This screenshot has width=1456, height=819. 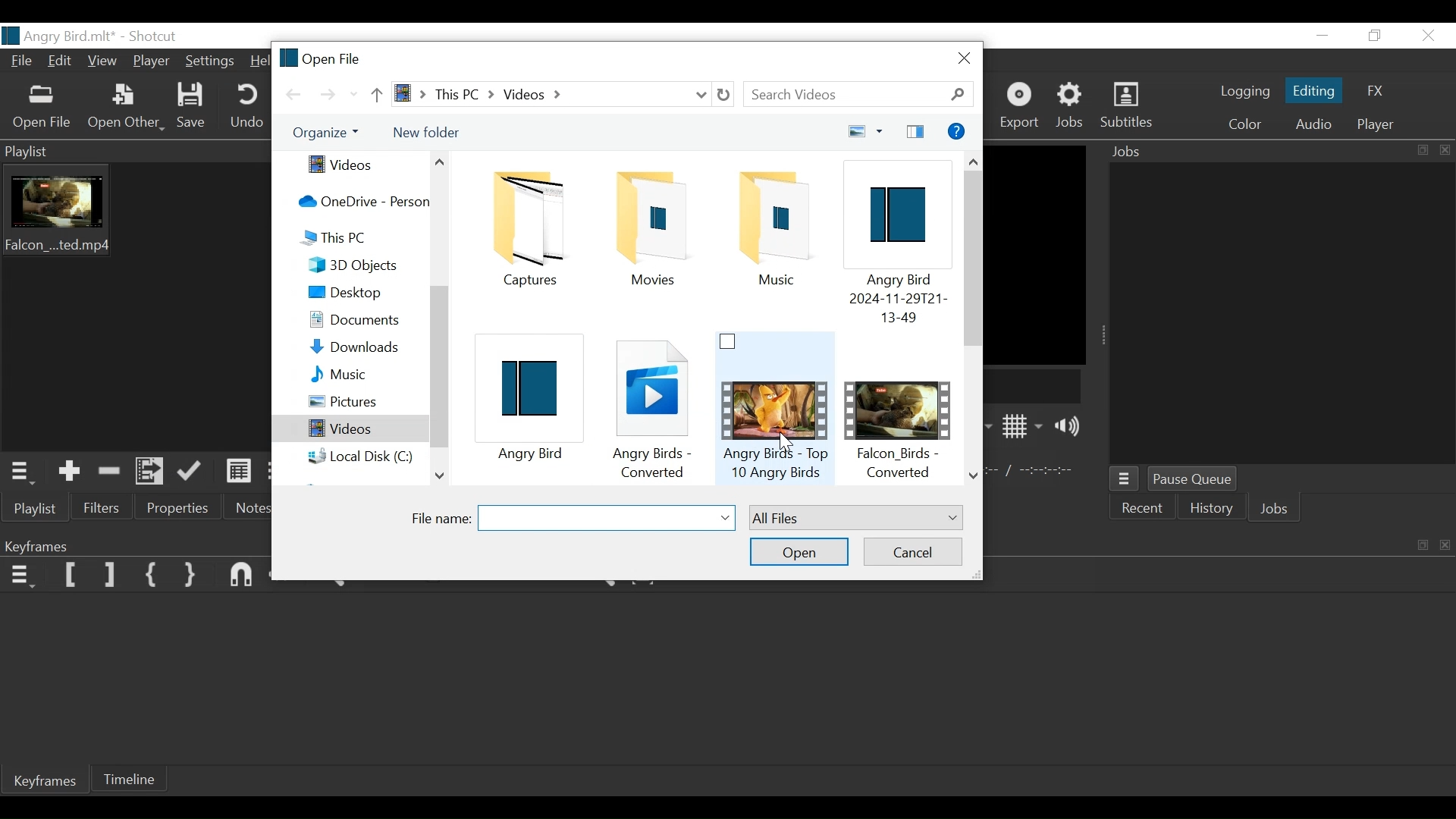 I want to click on Color, so click(x=1246, y=124).